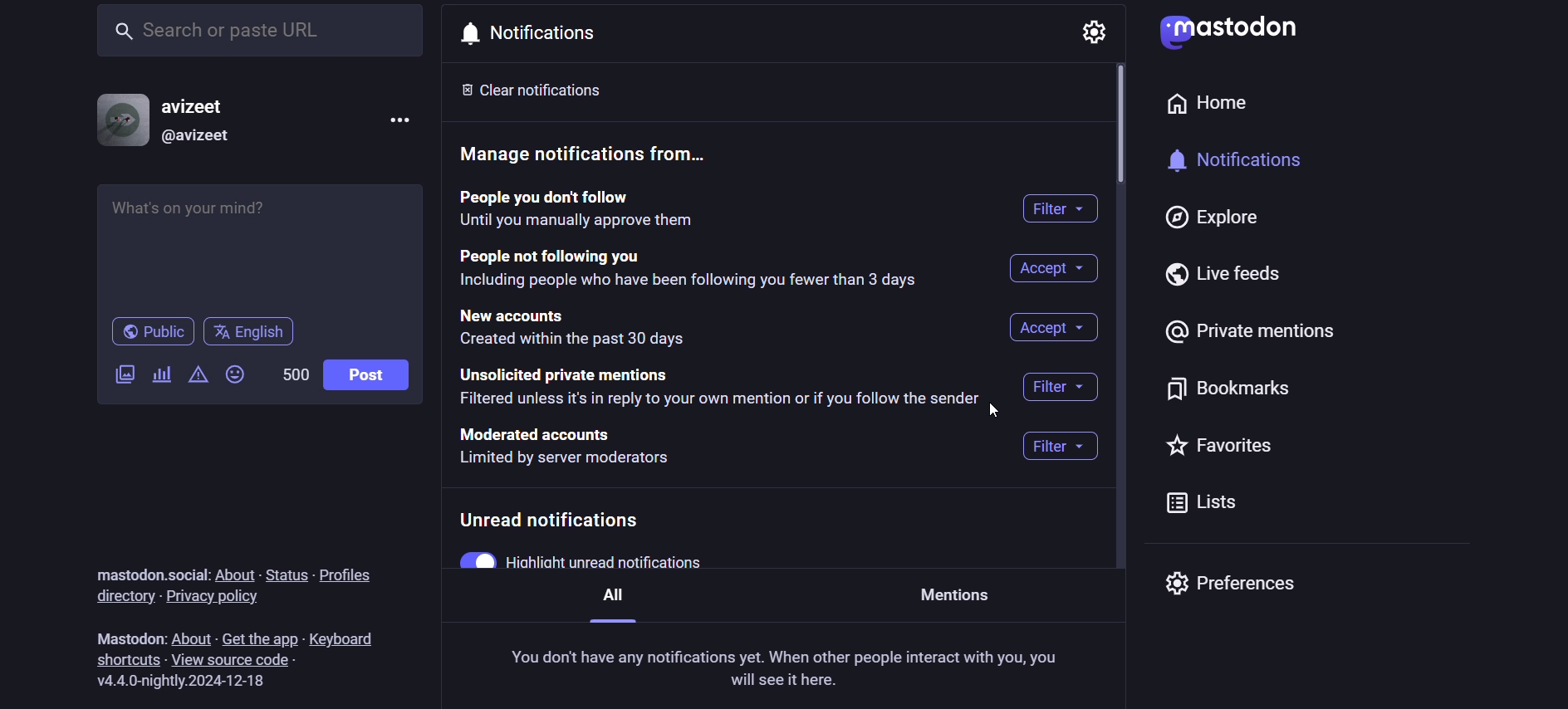  I want to click on All, so click(609, 604).